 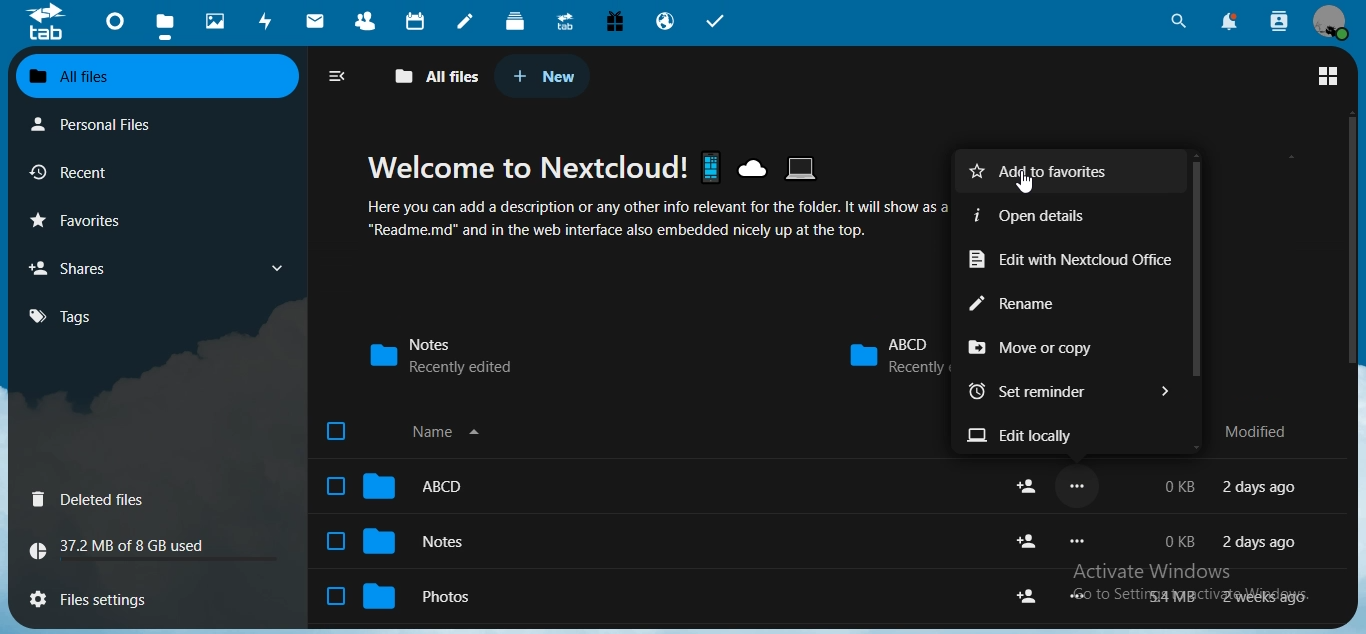 What do you see at coordinates (1019, 432) in the screenshot?
I see `edit locally` at bounding box center [1019, 432].